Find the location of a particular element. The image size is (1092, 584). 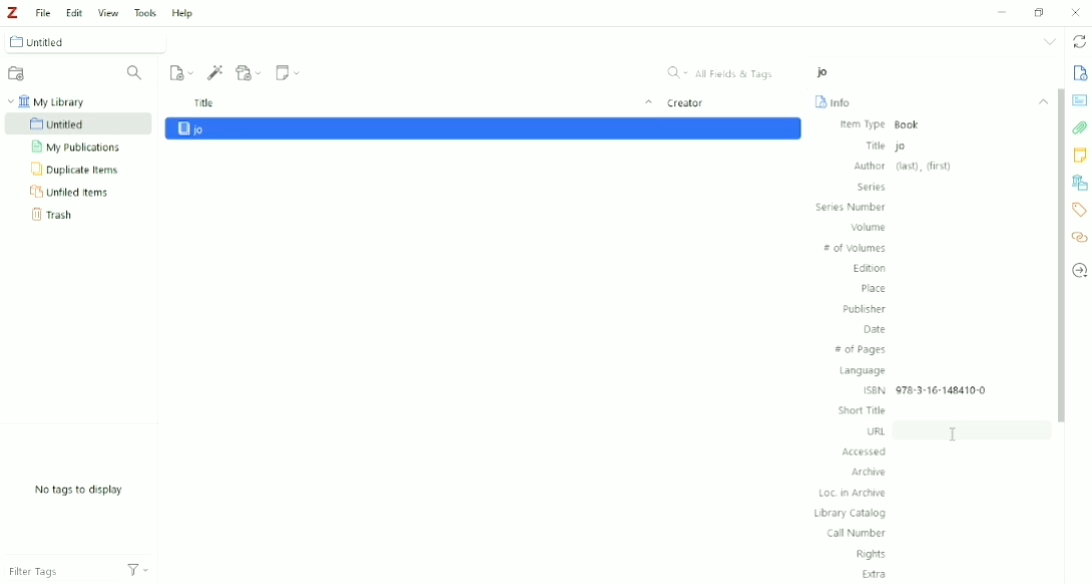

Info is located at coordinates (1078, 74).